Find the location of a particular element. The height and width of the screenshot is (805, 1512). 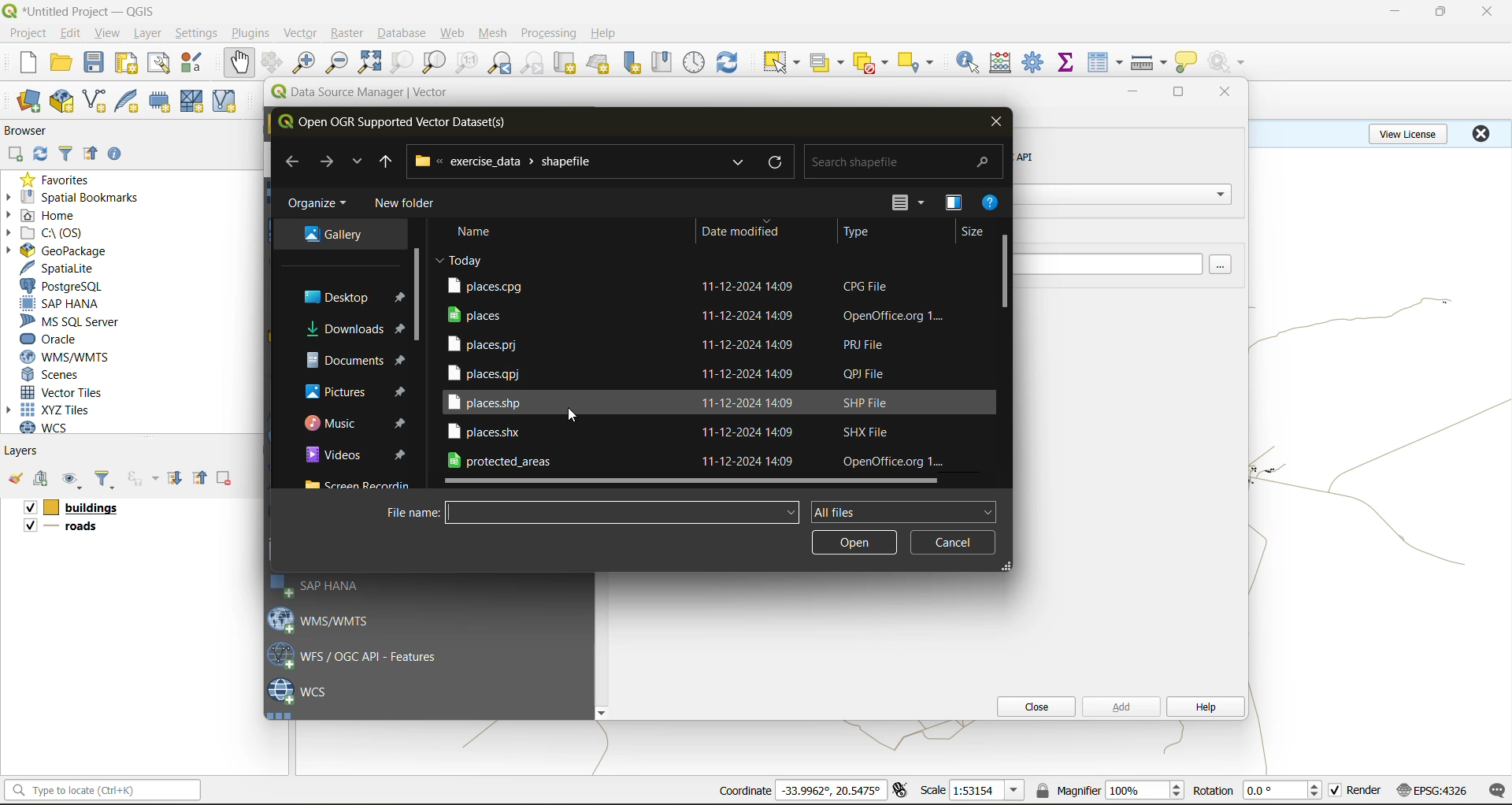

project is located at coordinates (28, 34).